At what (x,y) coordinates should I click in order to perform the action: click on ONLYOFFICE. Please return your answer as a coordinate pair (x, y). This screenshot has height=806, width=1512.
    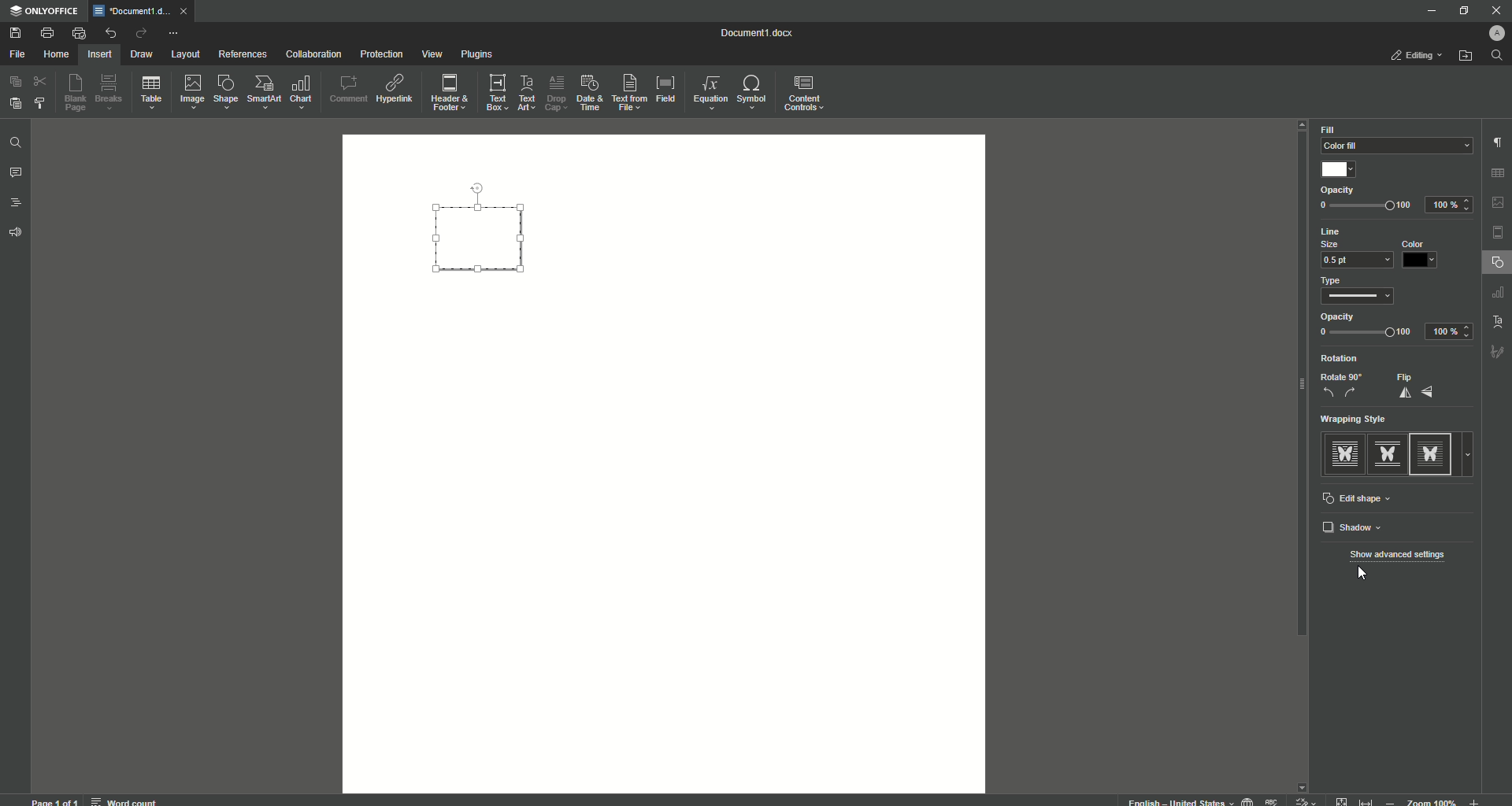
    Looking at the image, I should click on (45, 12).